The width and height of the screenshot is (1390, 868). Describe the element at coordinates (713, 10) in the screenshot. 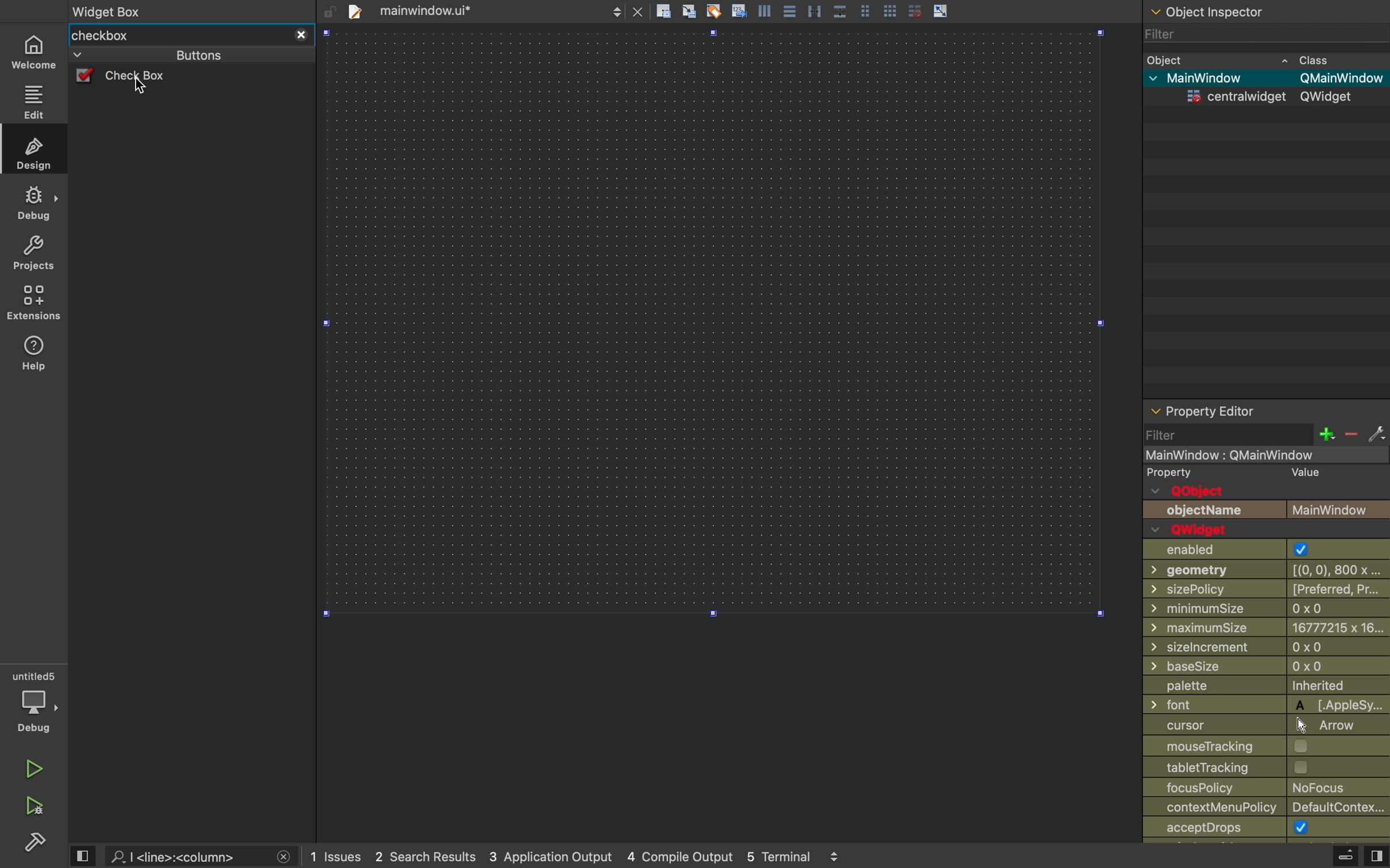

I see `tagging` at that location.